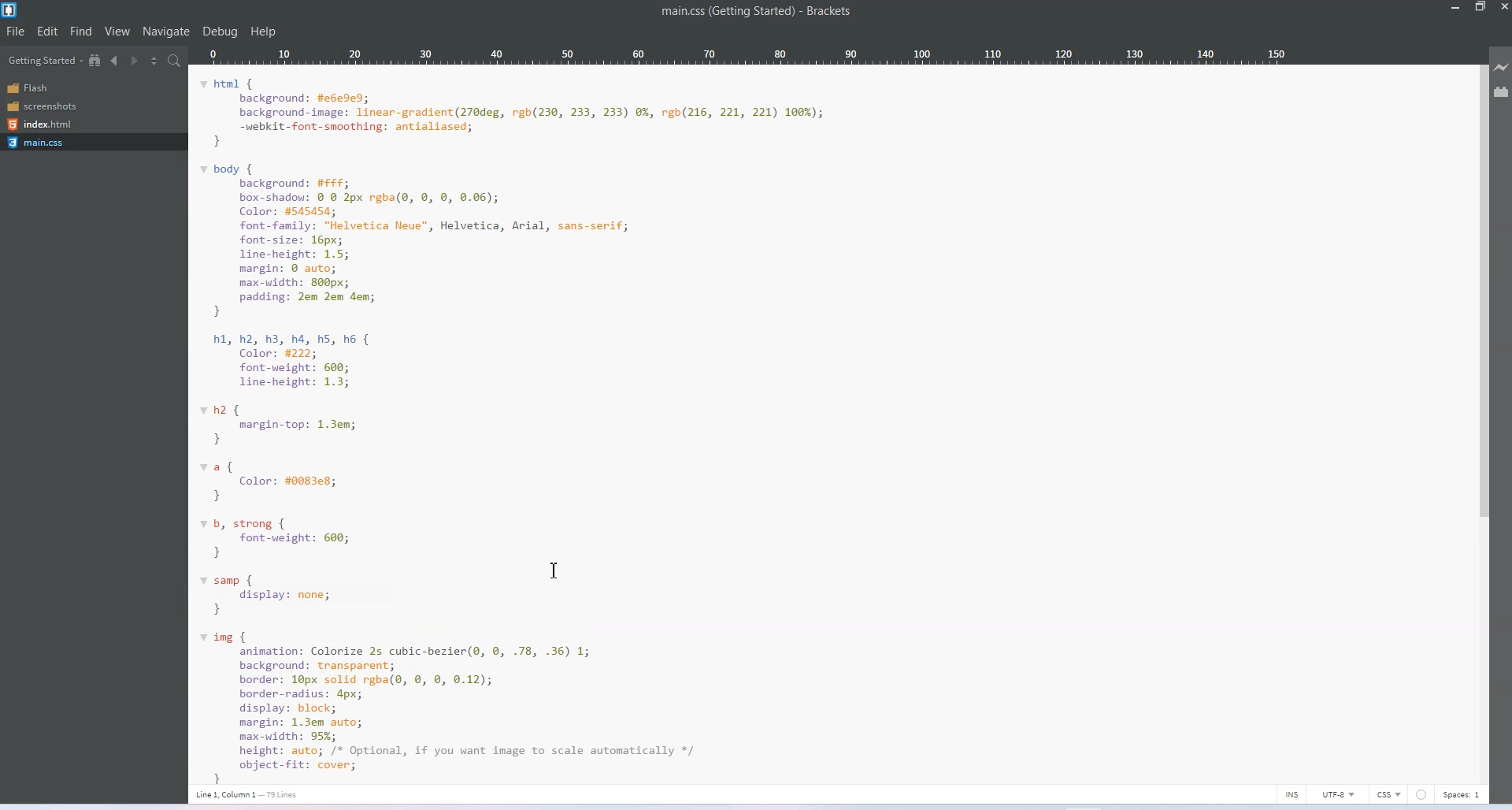 The image size is (1512, 810). I want to click on Extension manager, so click(1502, 91).